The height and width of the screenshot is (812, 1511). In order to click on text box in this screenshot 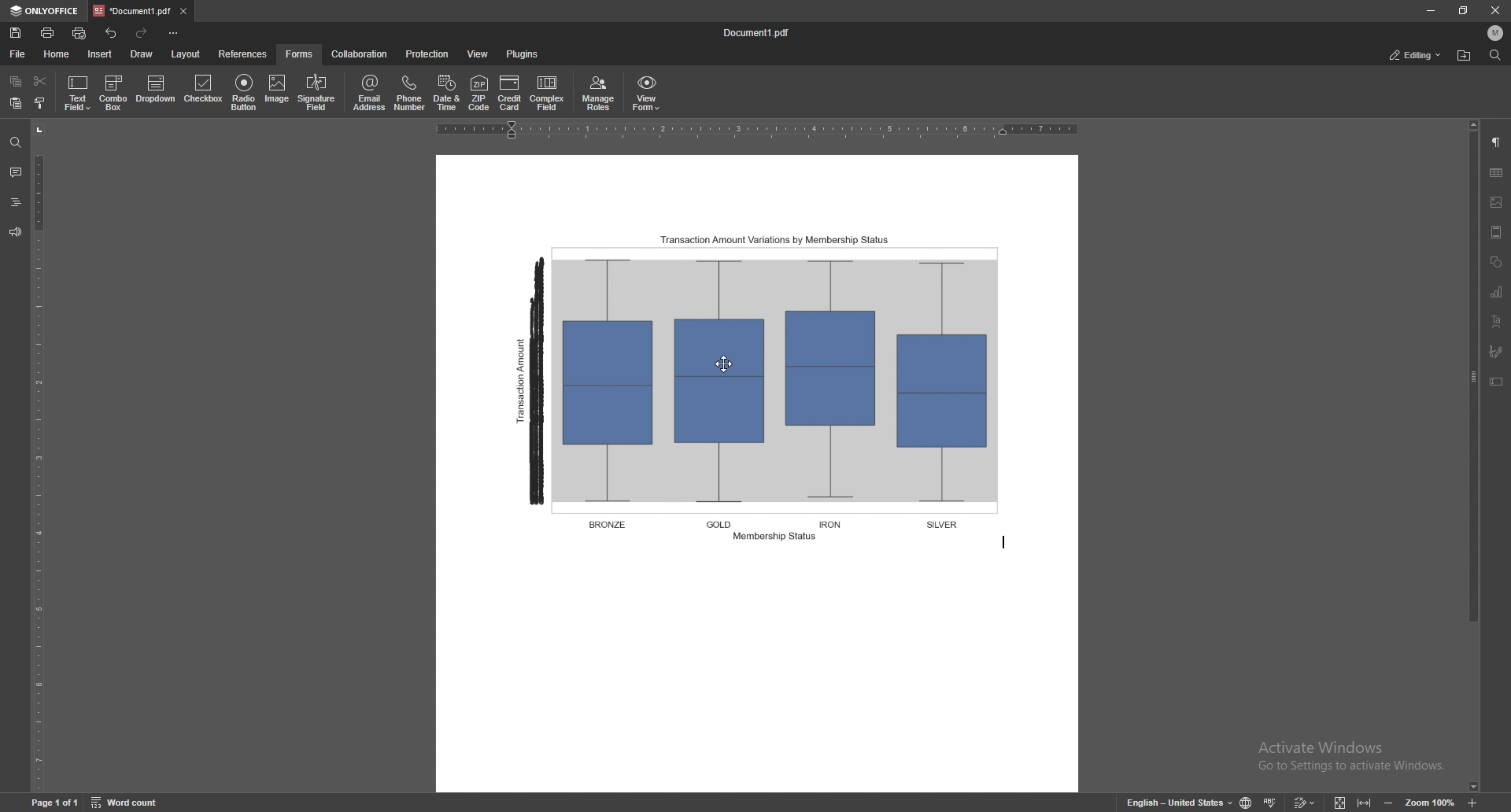, I will do `click(1497, 381)`.